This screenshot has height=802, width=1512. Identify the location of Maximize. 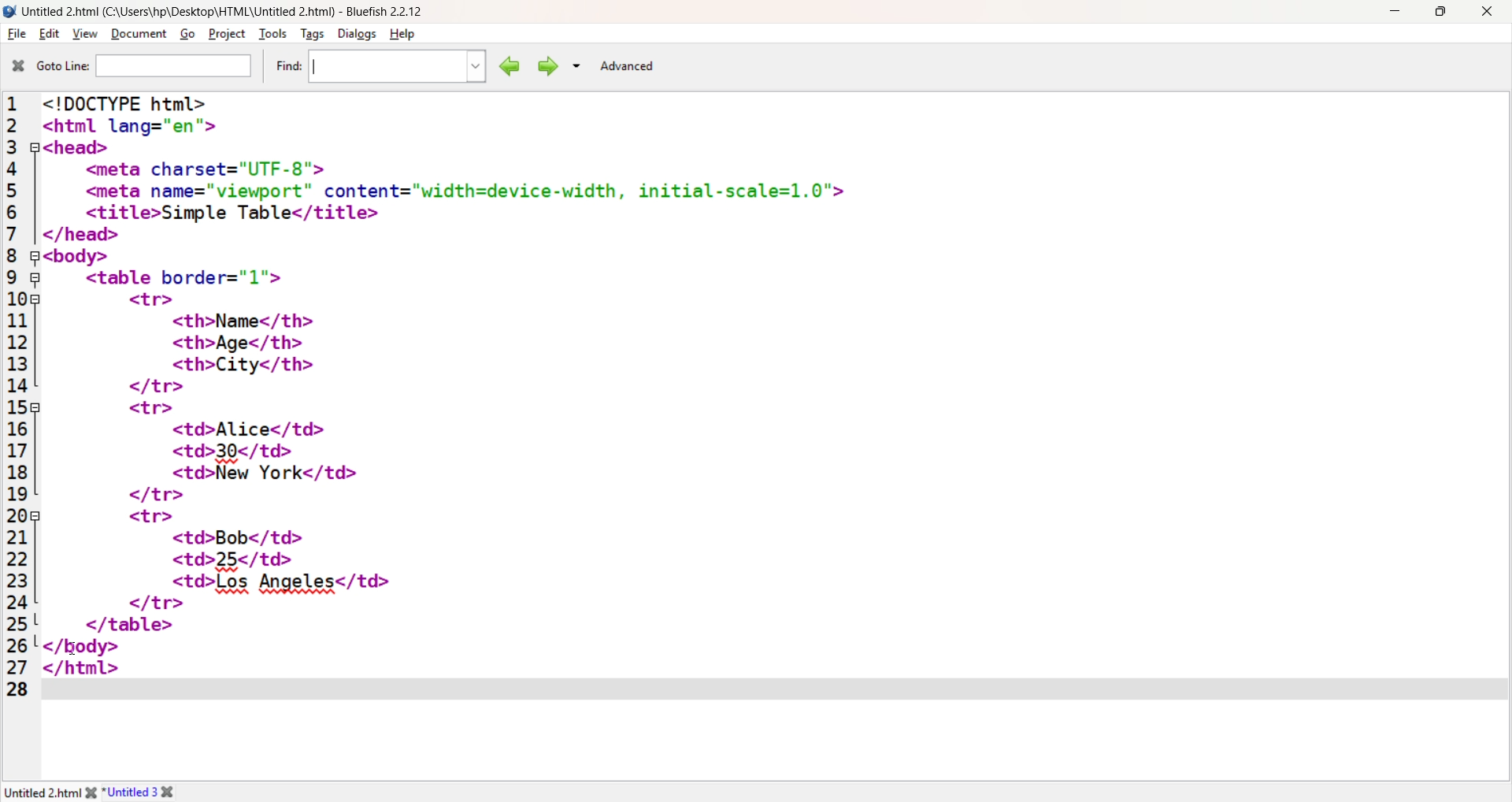
(1440, 12).